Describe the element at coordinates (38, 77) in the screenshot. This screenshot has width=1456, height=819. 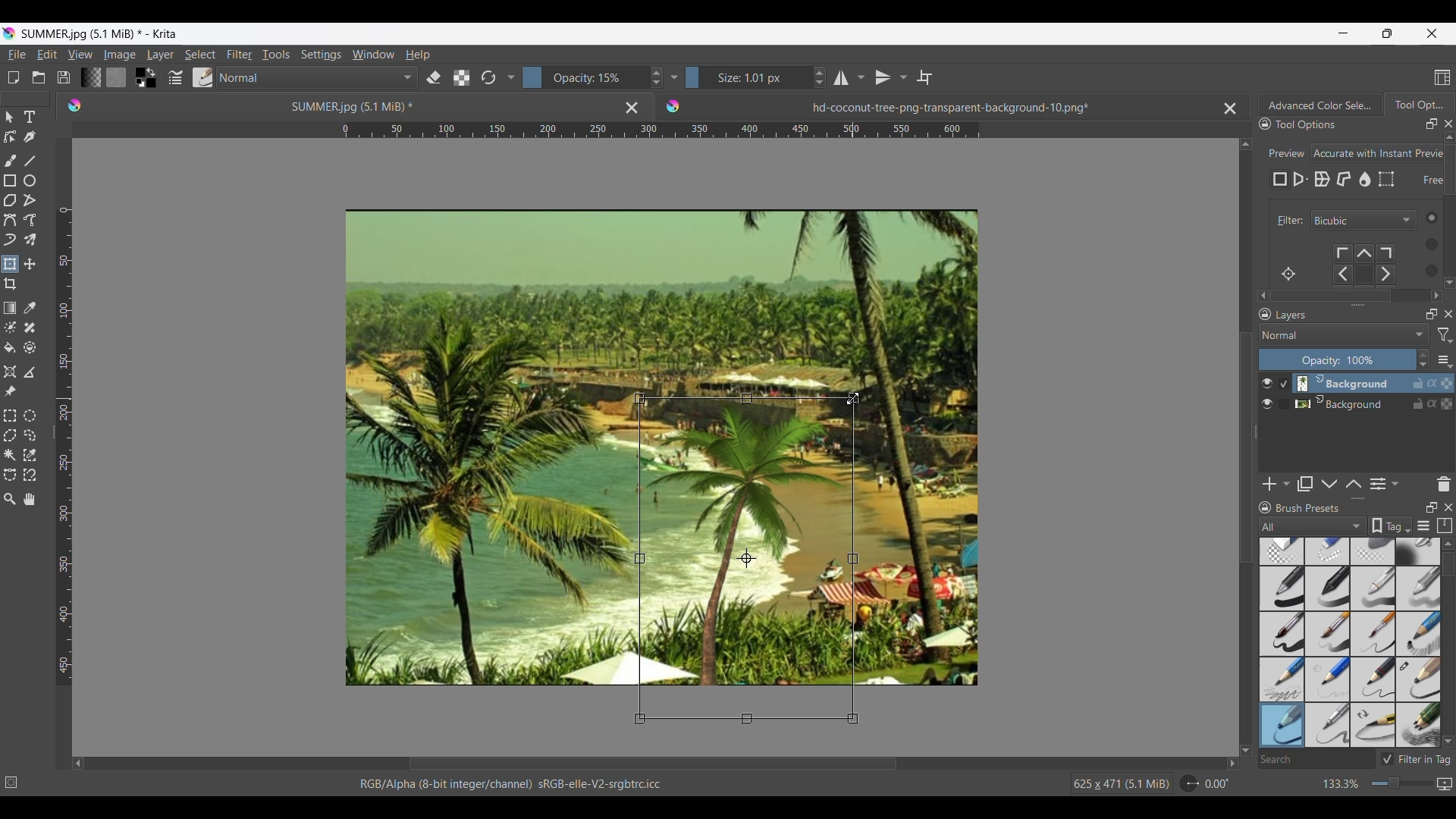
I see `Open an existing document` at that location.